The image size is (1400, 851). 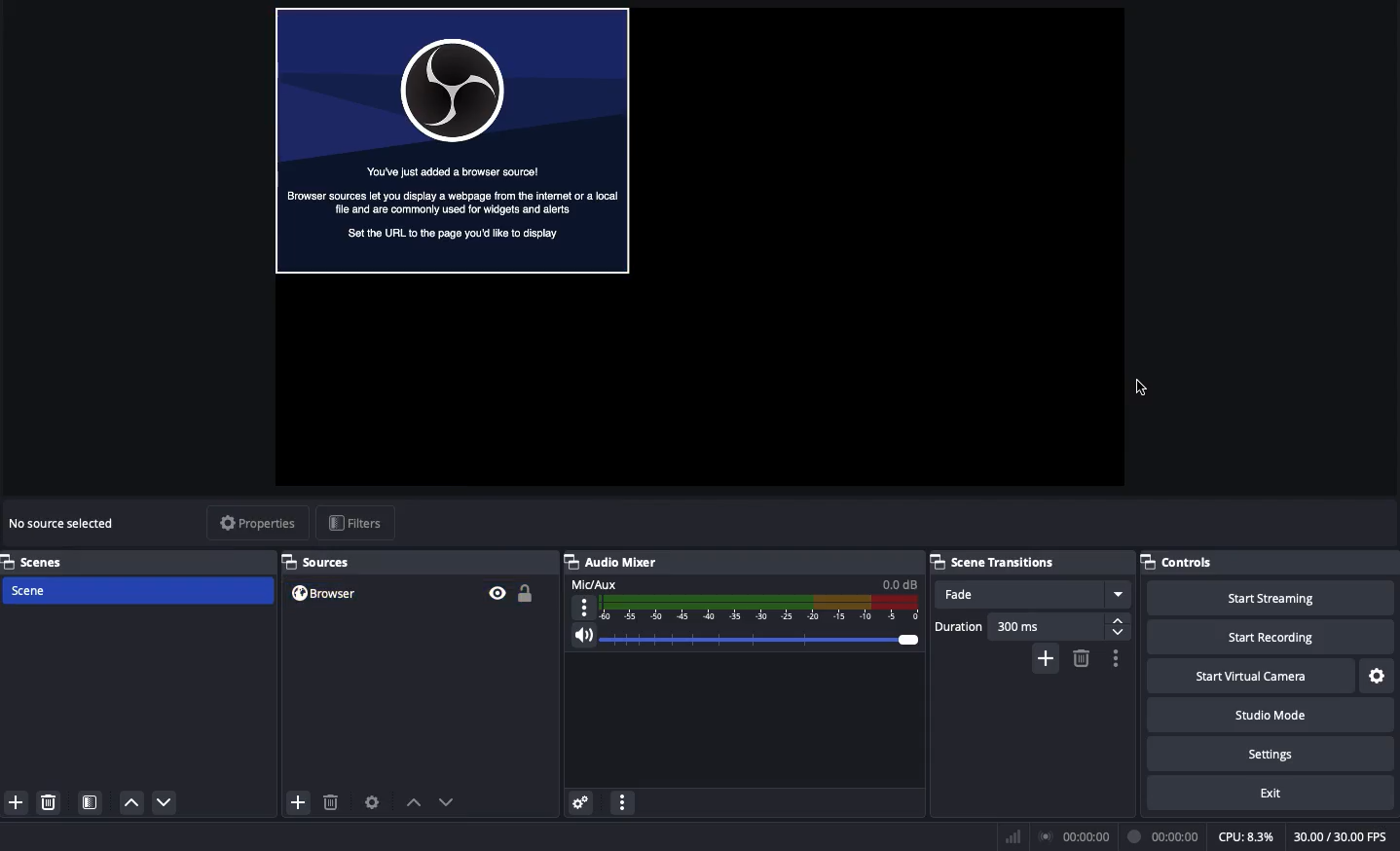 What do you see at coordinates (447, 802) in the screenshot?
I see `Move down` at bounding box center [447, 802].